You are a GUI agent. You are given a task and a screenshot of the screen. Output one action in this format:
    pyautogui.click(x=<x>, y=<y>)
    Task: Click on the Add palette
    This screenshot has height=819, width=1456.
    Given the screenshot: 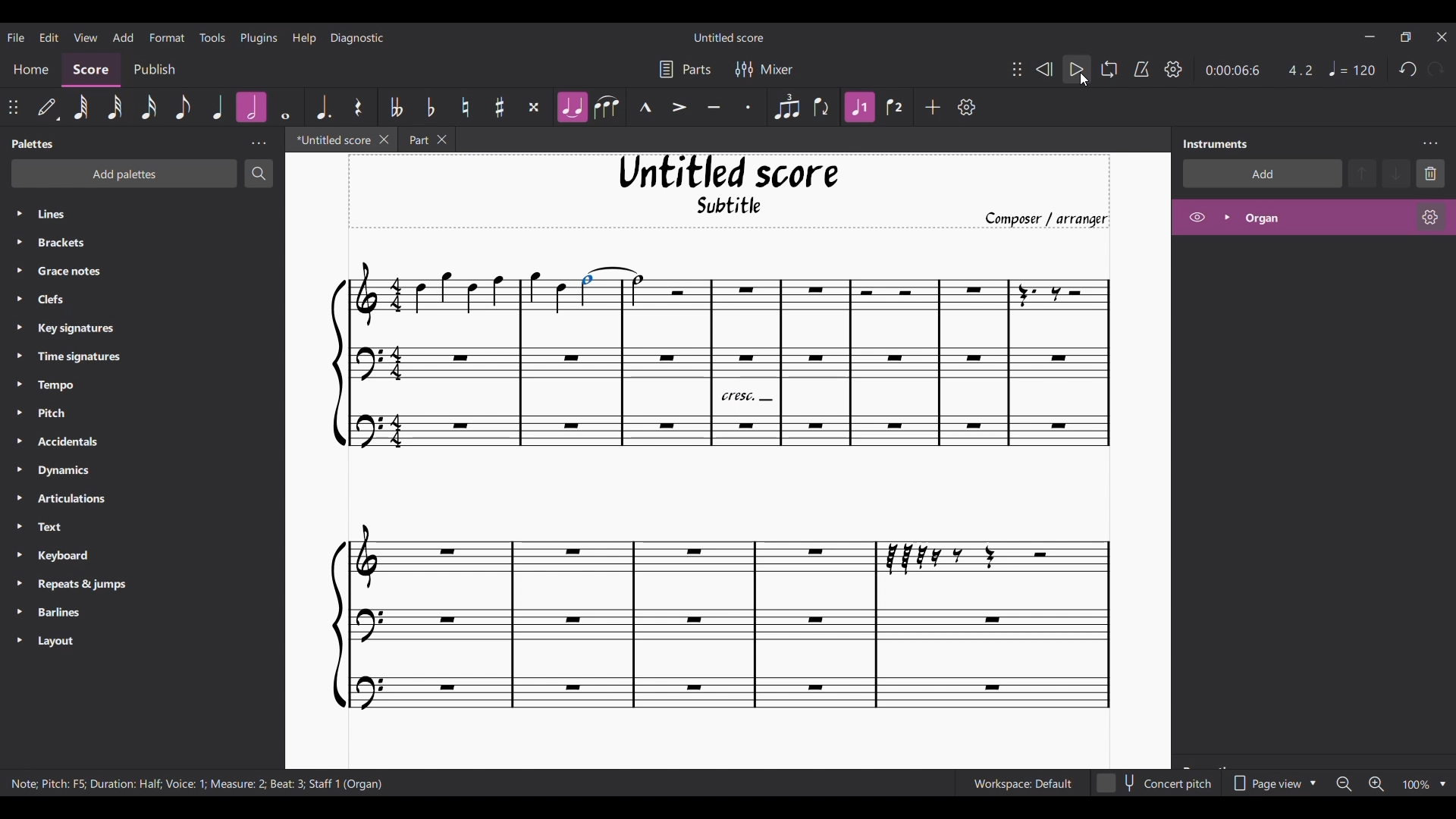 What is the action you would take?
    pyautogui.click(x=124, y=174)
    